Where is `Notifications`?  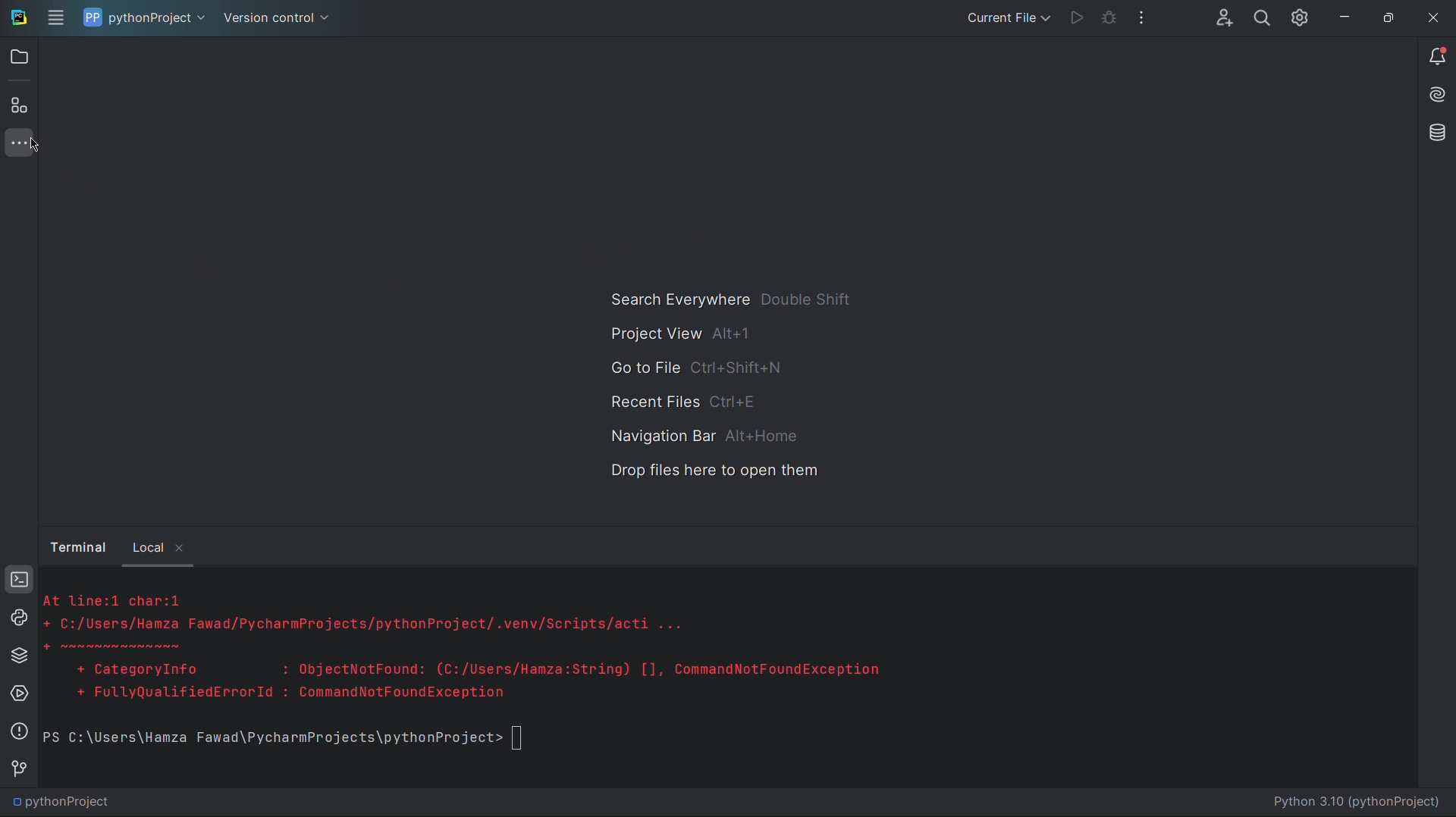 Notifications is located at coordinates (1437, 57).